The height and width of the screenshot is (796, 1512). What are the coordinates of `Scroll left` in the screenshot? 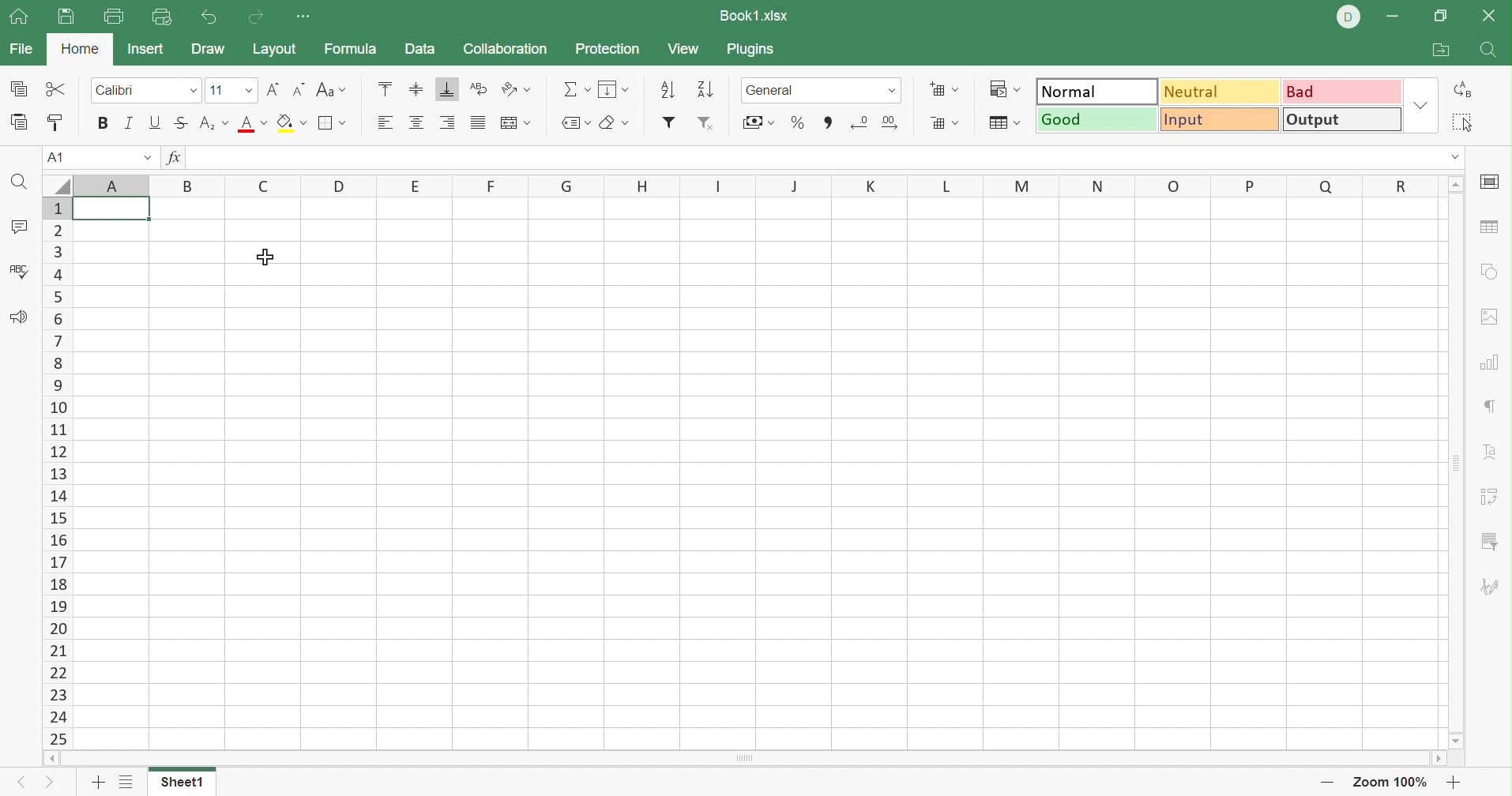 It's located at (51, 757).